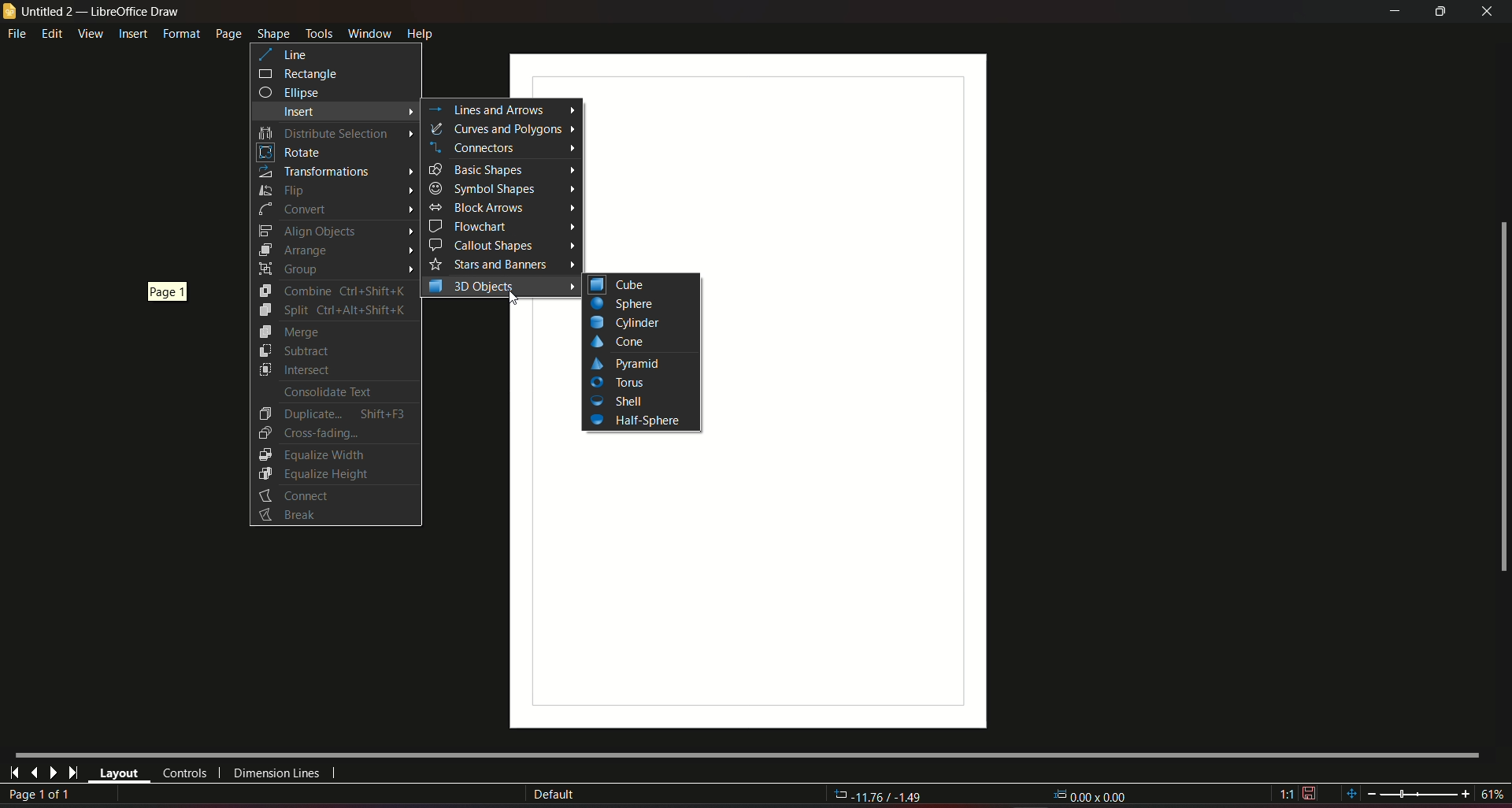 This screenshot has height=808, width=1512. What do you see at coordinates (1392, 12) in the screenshot?
I see `minimize` at bounding box center [1392, 12].